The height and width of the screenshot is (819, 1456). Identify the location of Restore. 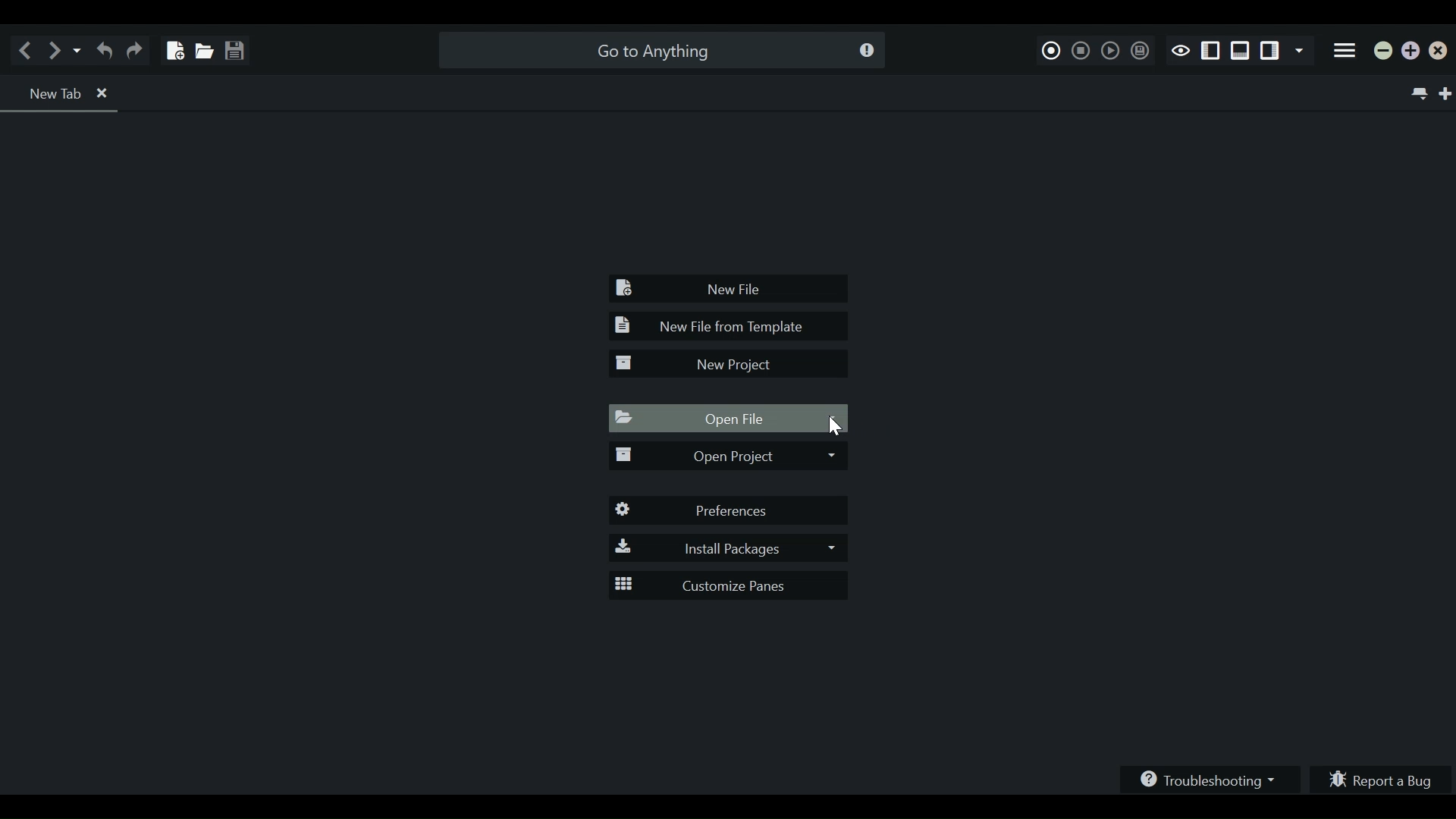
(1411, 52).